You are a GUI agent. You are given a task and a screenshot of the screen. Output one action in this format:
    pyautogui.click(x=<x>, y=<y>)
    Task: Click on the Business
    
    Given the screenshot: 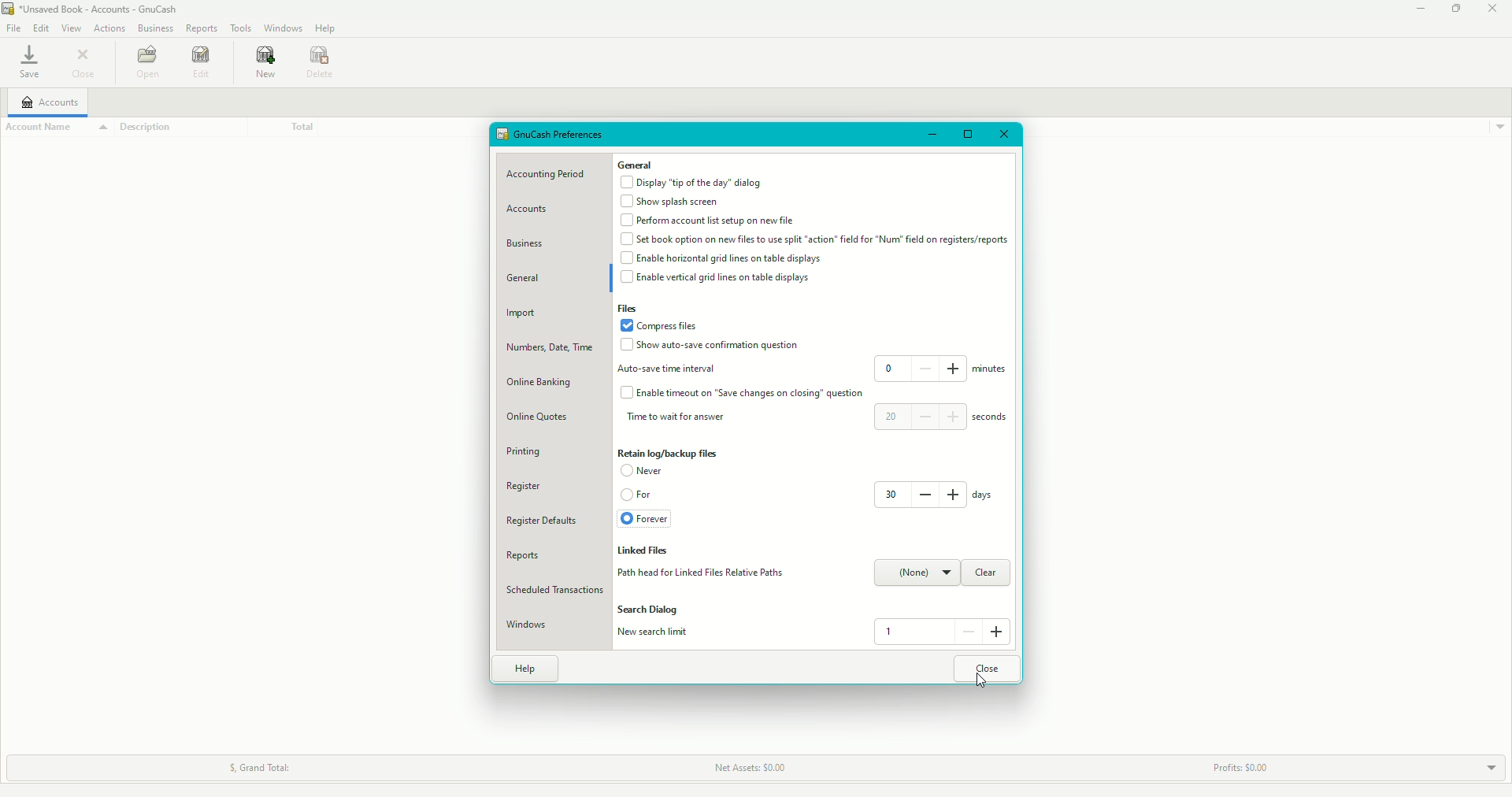 What is the action you would take?
    pyautogui.click(x=527, y=242)
    